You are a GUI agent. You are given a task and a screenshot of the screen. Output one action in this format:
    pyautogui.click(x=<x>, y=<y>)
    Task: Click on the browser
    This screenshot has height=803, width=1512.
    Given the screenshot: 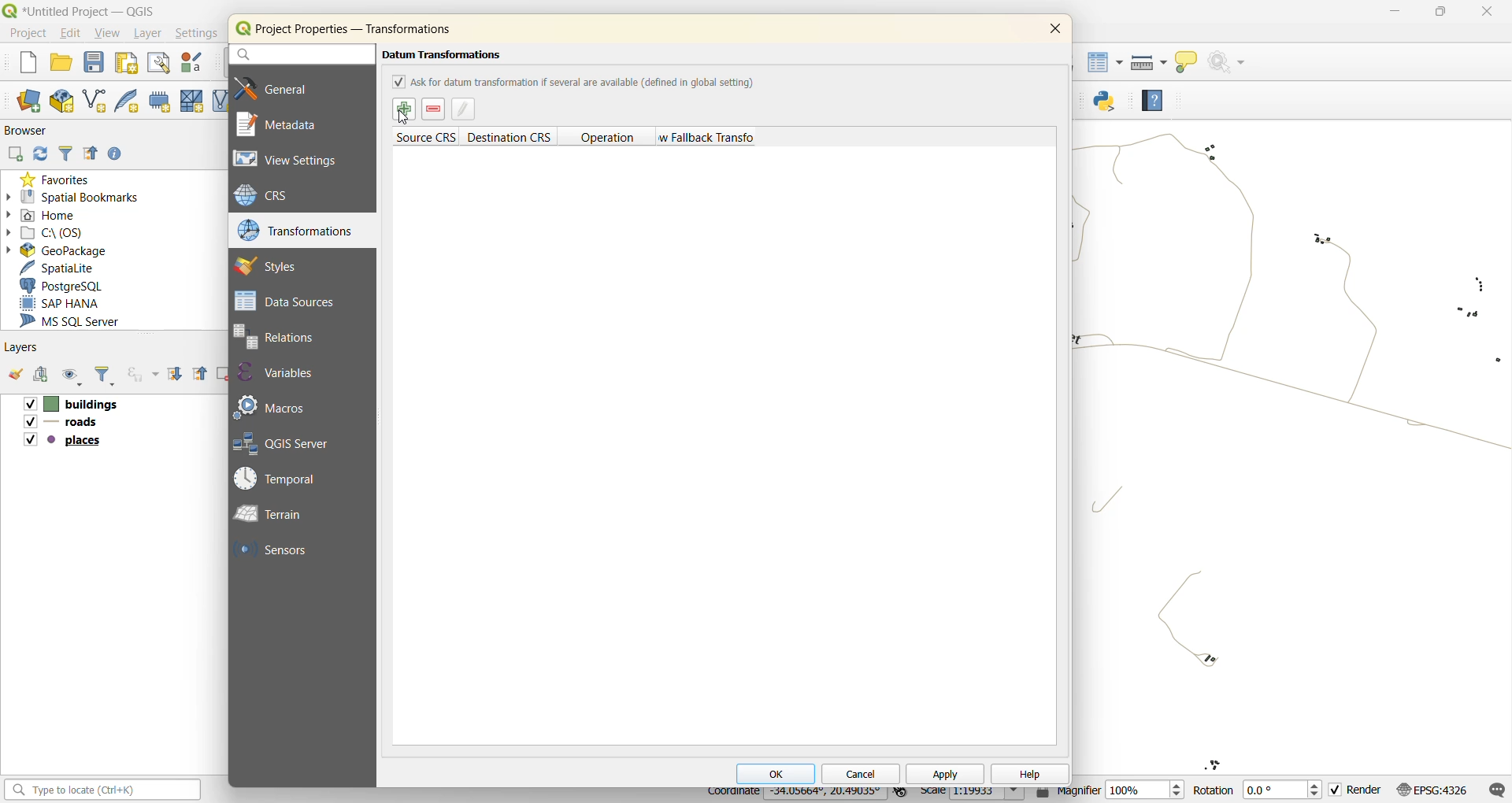 What is the action you would take?
    pyautogui.click(x=31, y=133)
    